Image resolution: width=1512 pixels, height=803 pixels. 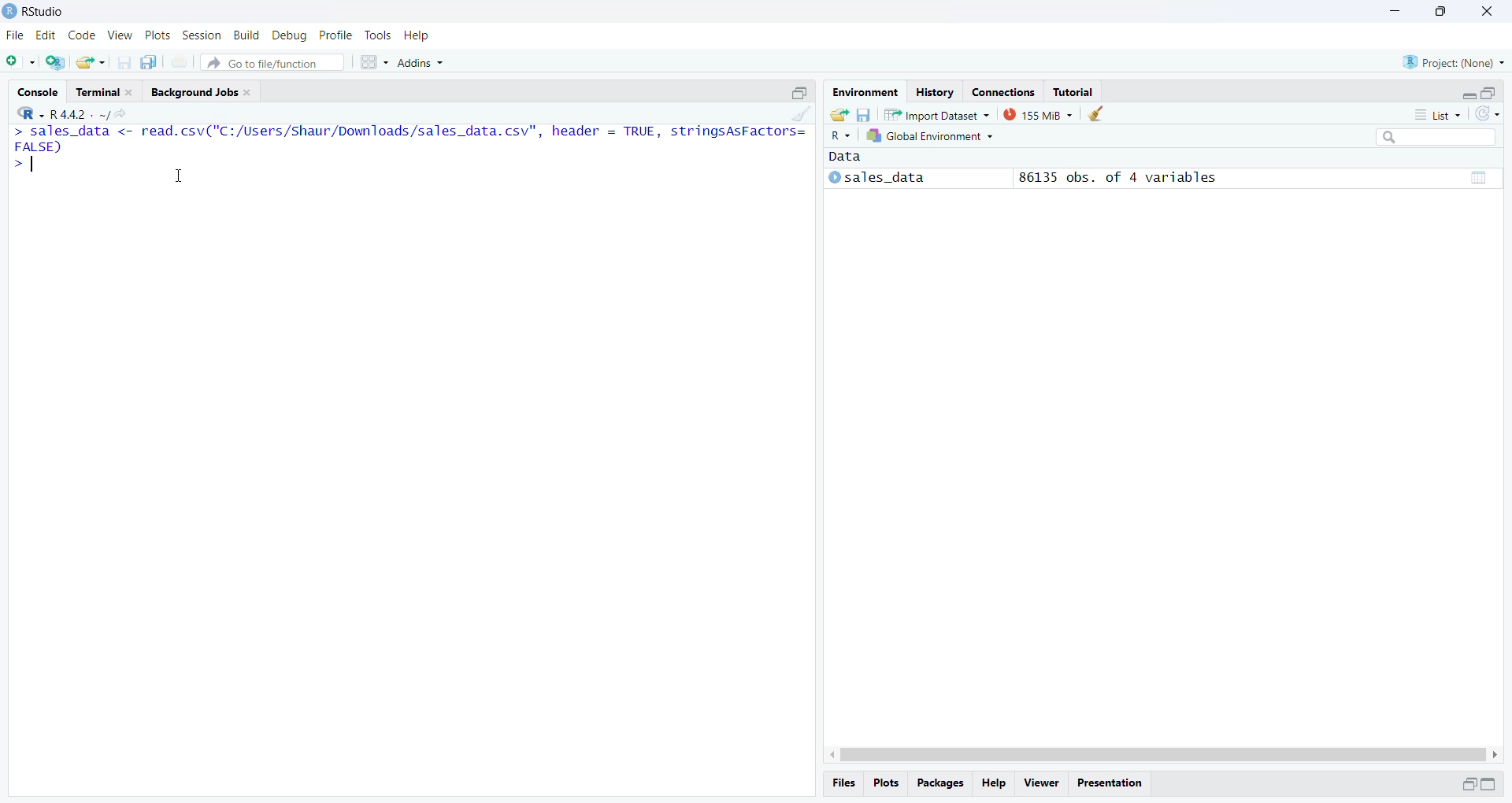 I want to click on Maximize, so click(x=798, y=93).